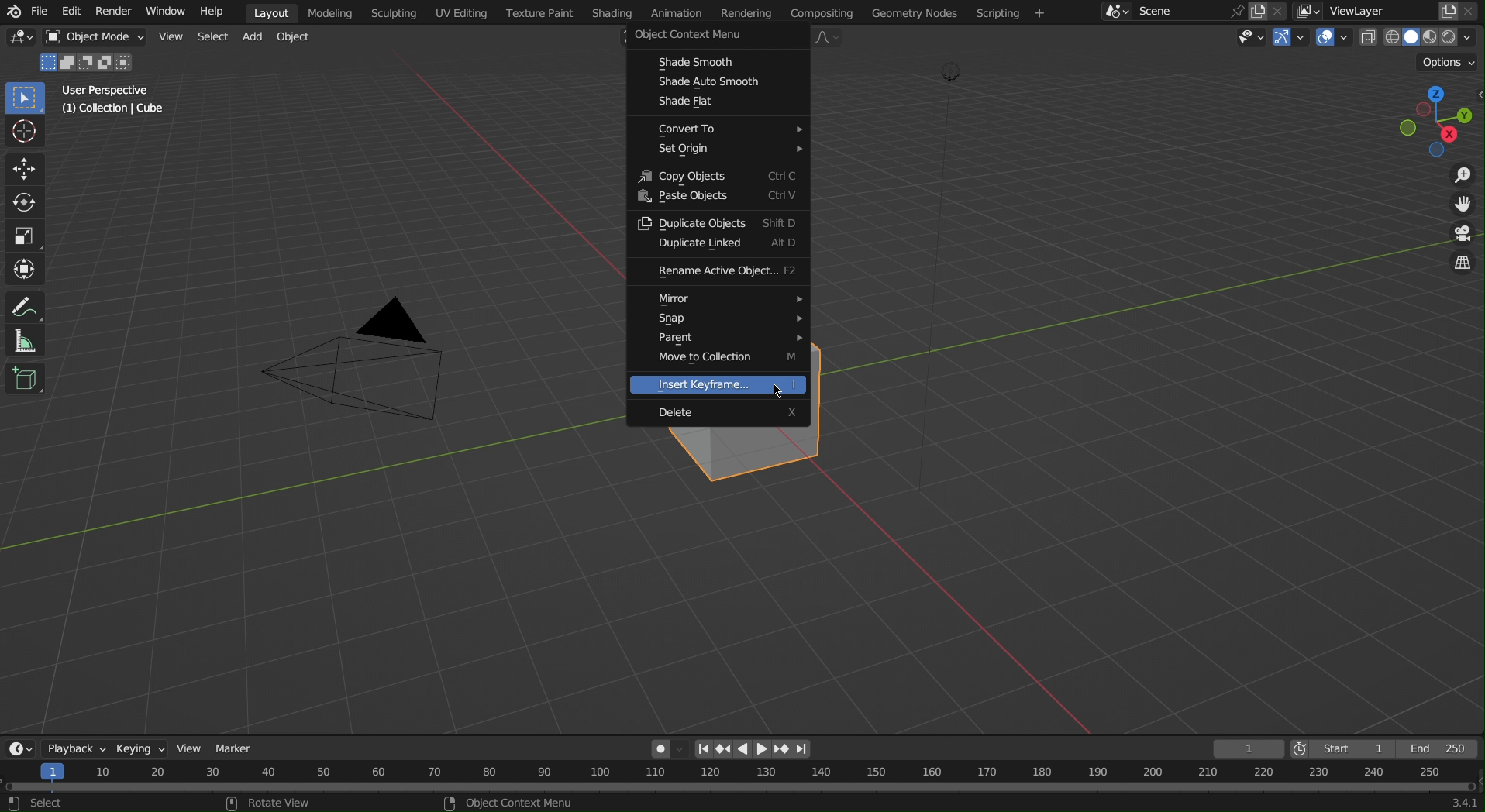 This screenshot has height=812, width=1485. I want to click on Switch the current view, so click(1459, 262).